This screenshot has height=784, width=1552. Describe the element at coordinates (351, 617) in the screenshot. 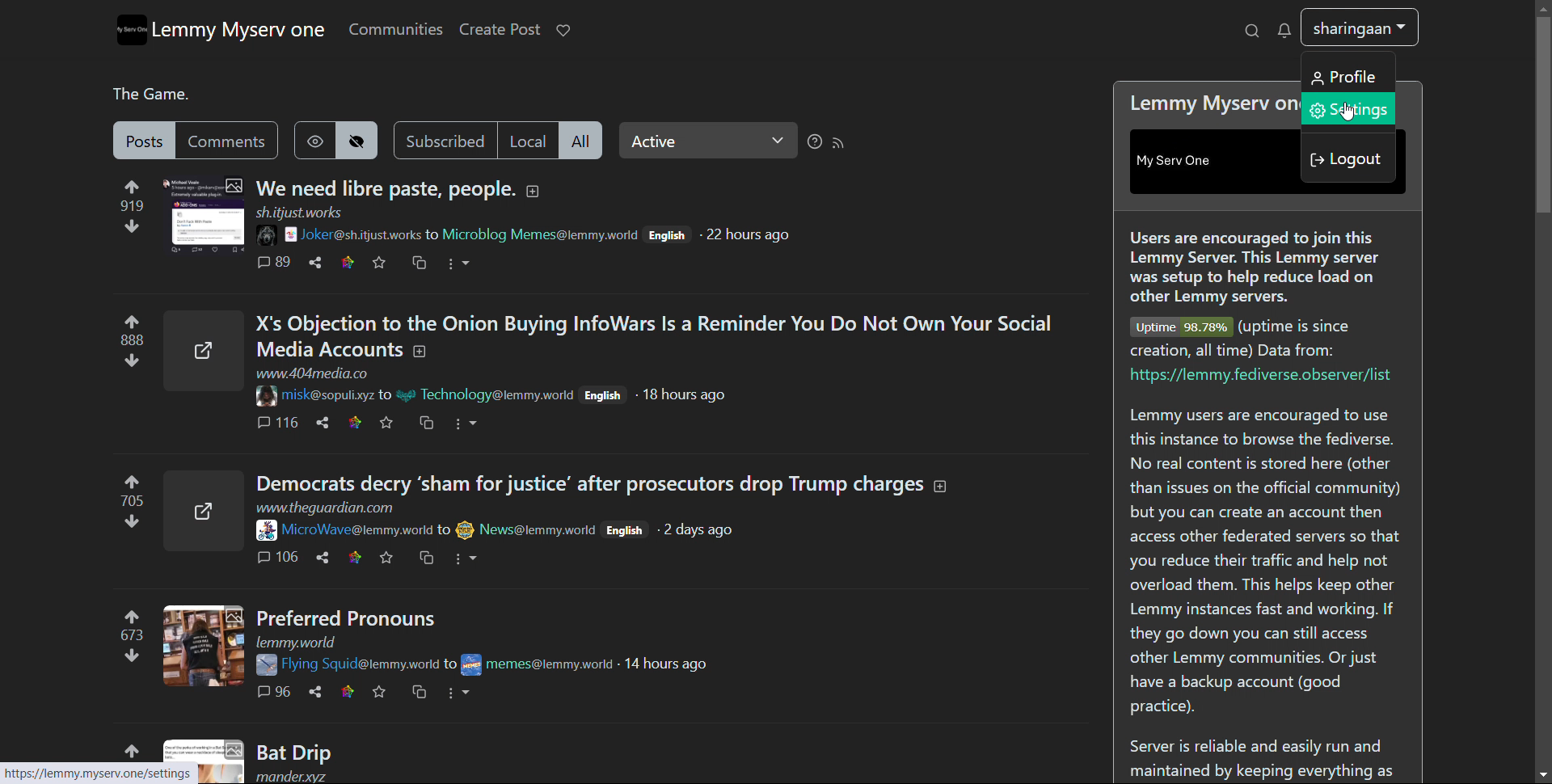

I see `Preferred Pronouns` at that location.